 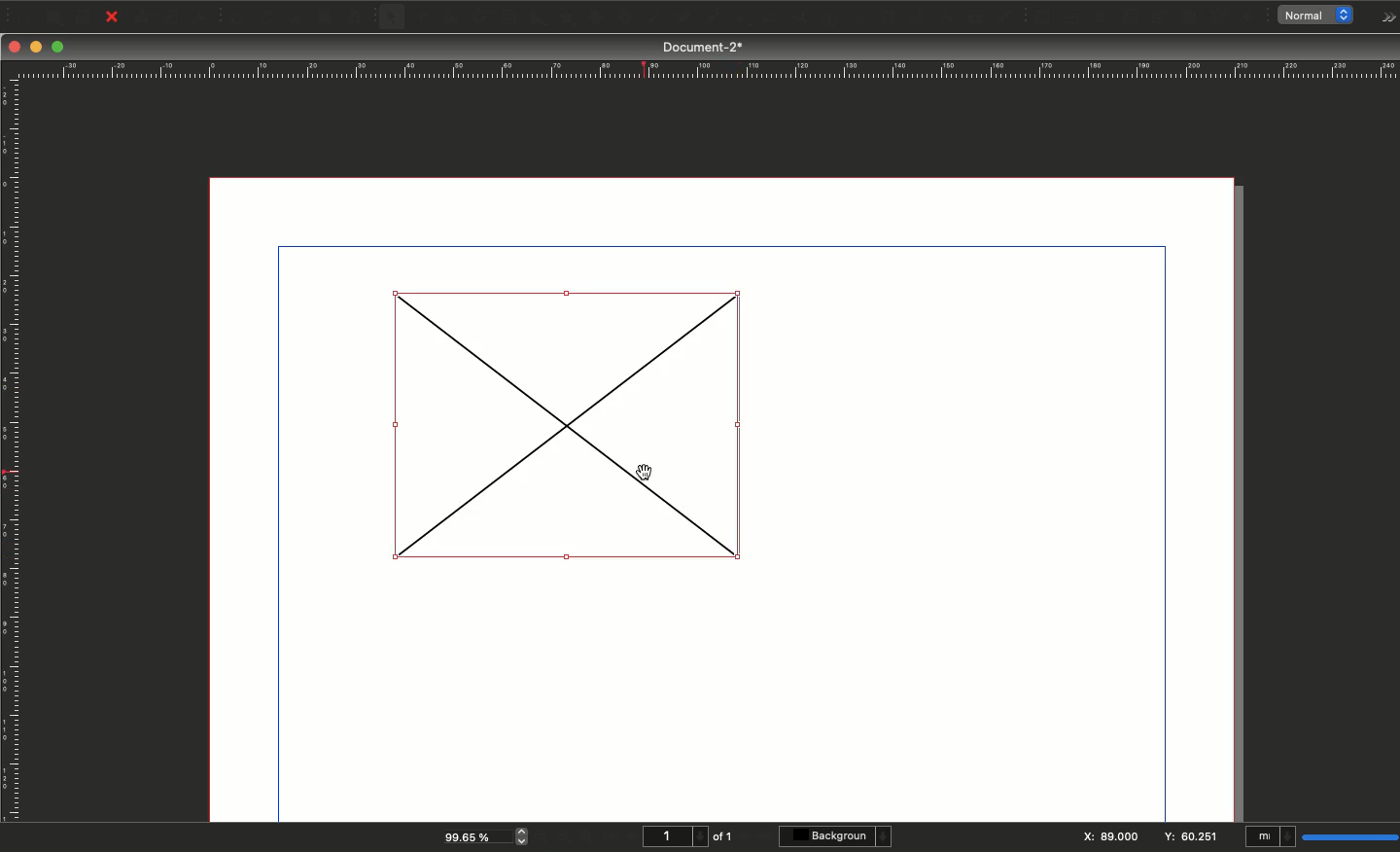 I want to click on Ruler, so click(x=13, y=451).